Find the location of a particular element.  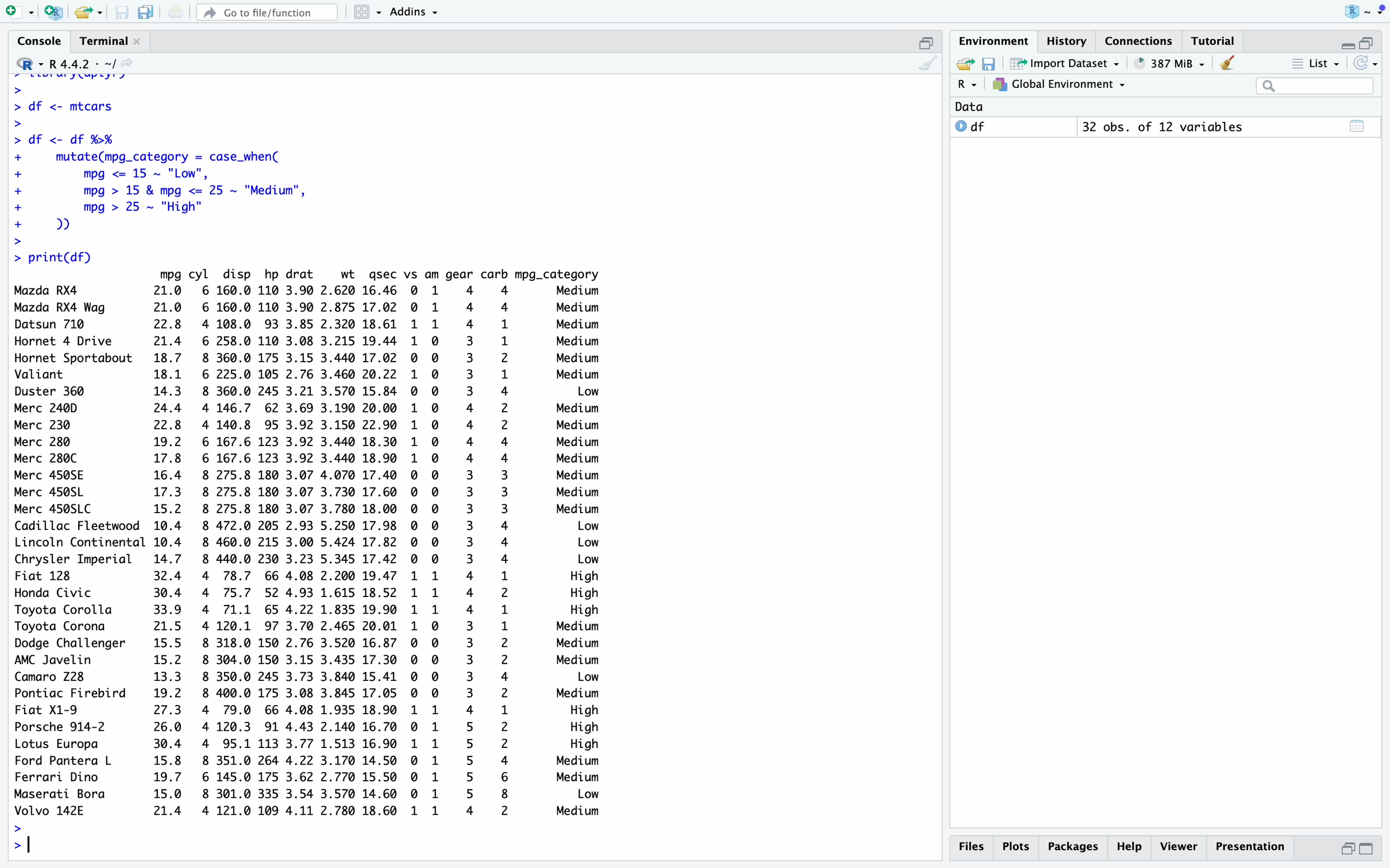

sync is located at coordinates (1367, 62).